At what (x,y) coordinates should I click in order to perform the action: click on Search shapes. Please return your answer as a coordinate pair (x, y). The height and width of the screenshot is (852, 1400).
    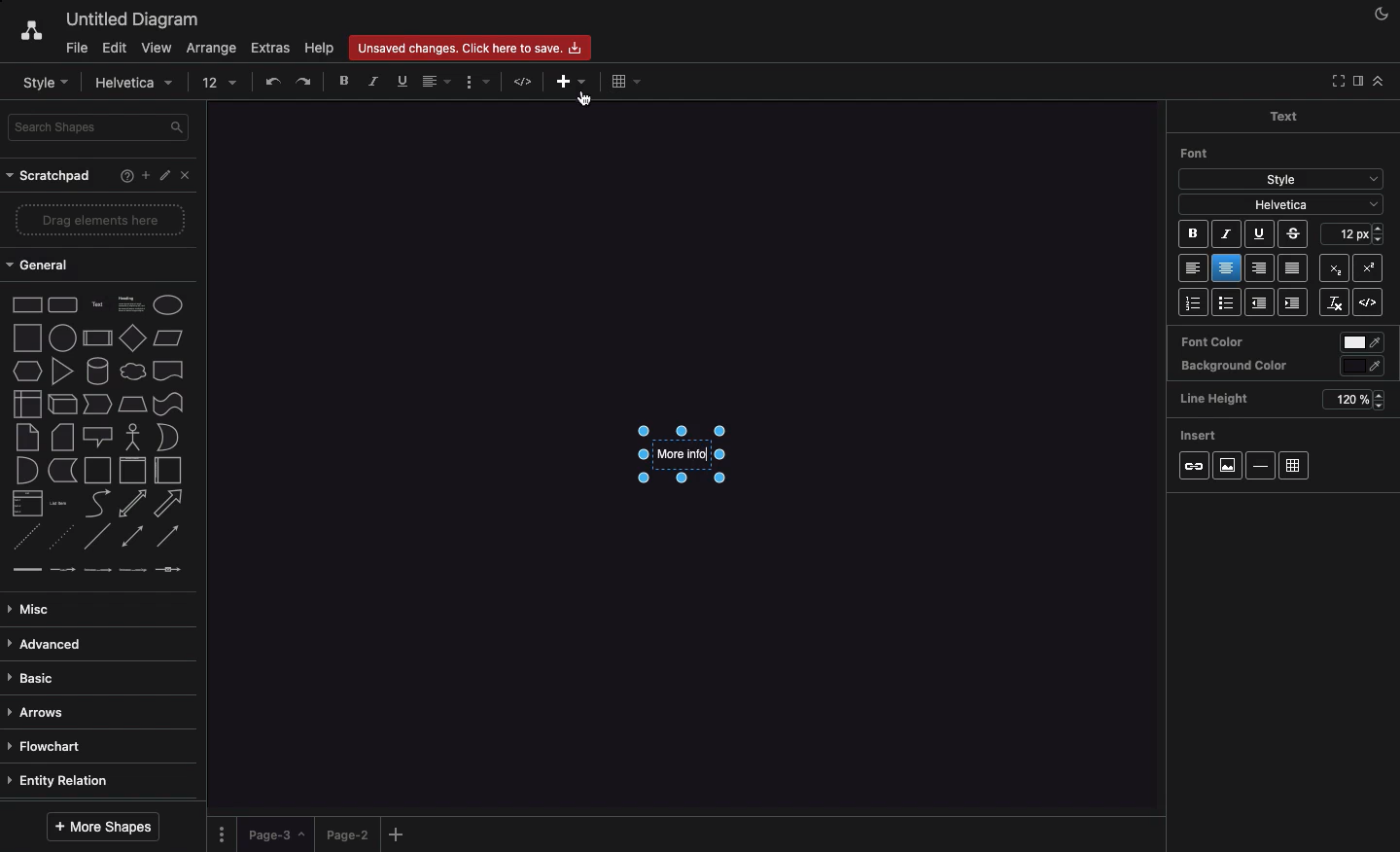
    Looking at the image, I should click on (100, 127).